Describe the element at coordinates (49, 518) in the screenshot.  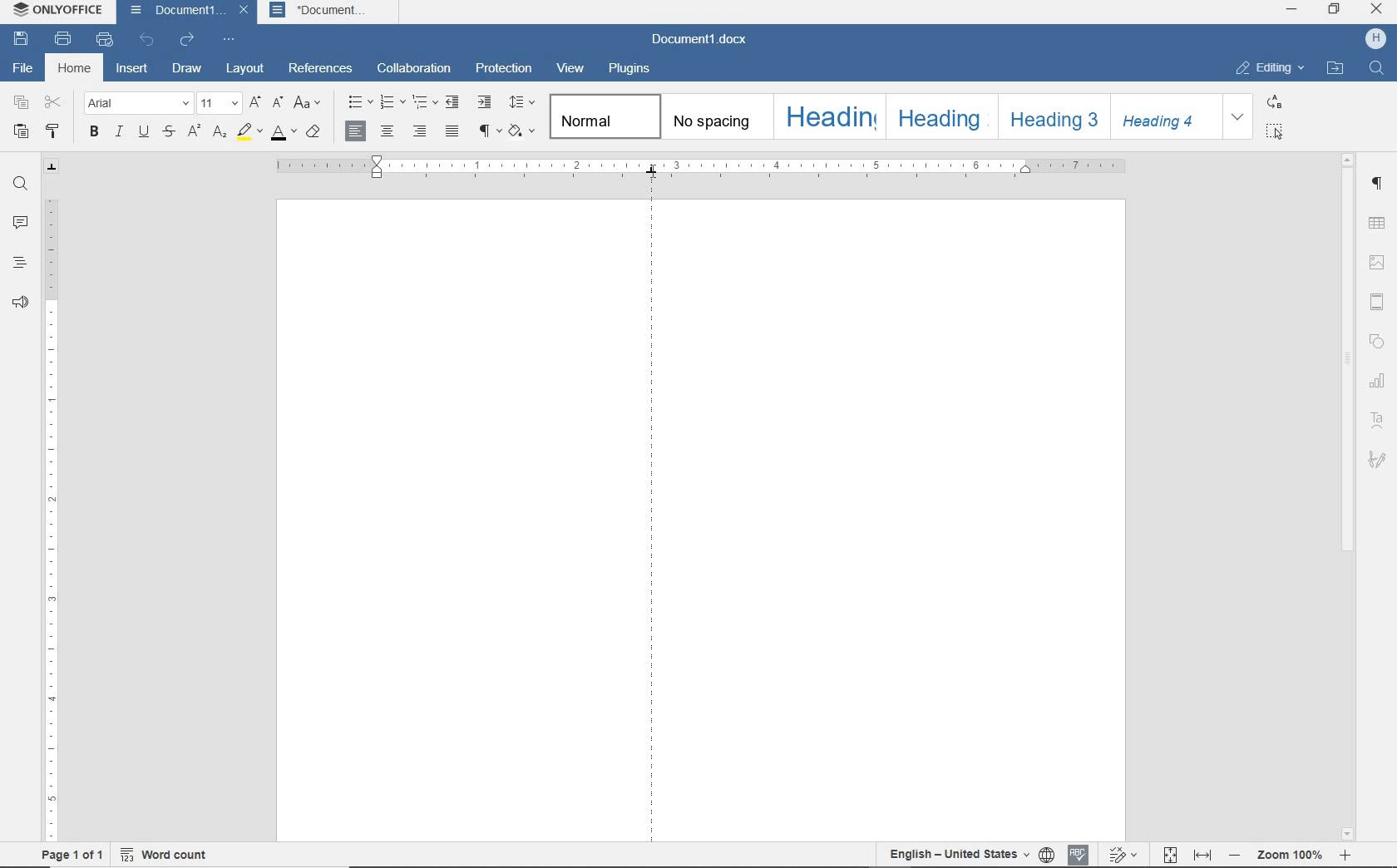
I see `RULER` at that location.